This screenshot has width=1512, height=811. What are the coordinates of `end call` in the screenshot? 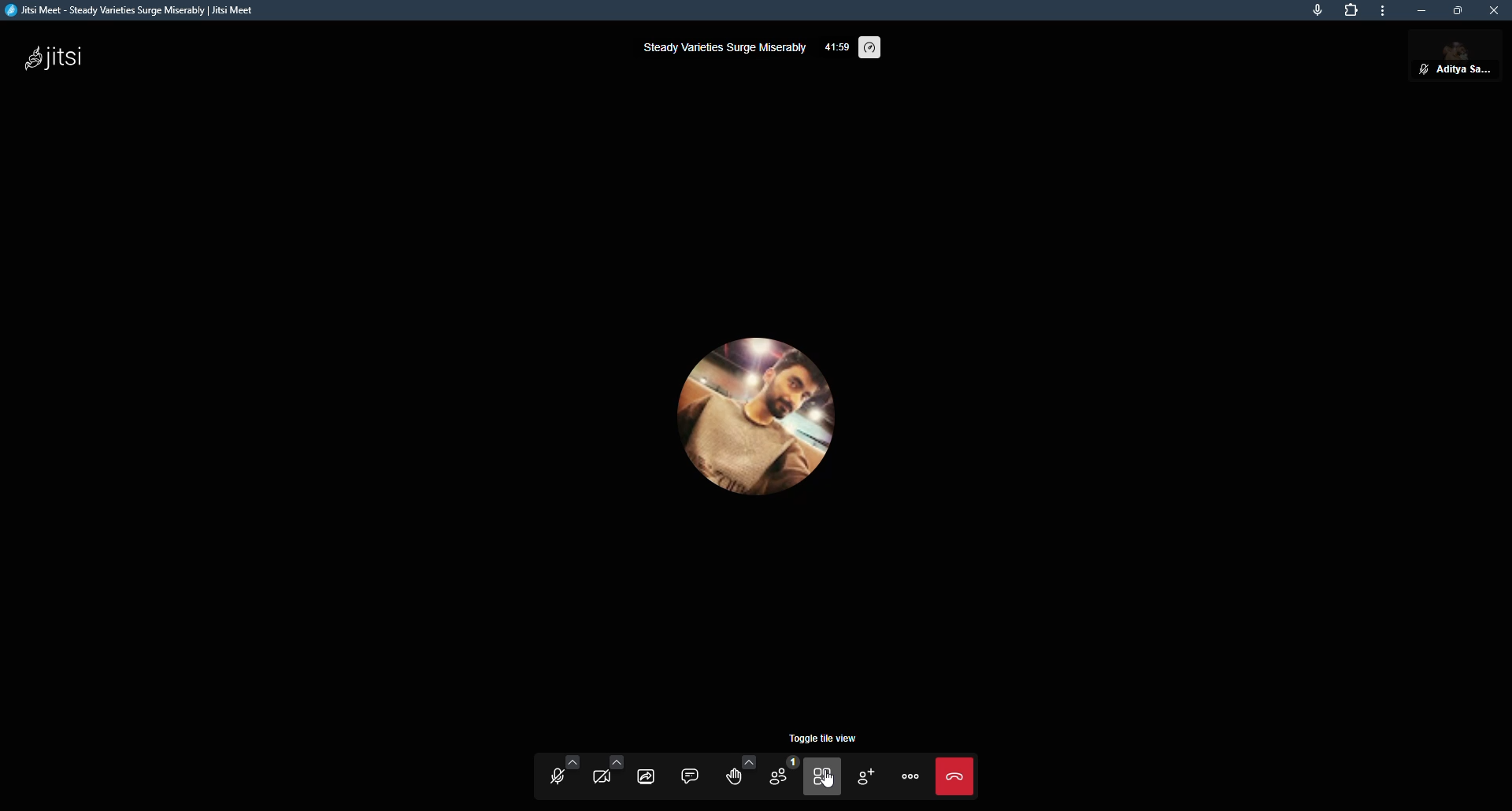 It's located at (956, 778).